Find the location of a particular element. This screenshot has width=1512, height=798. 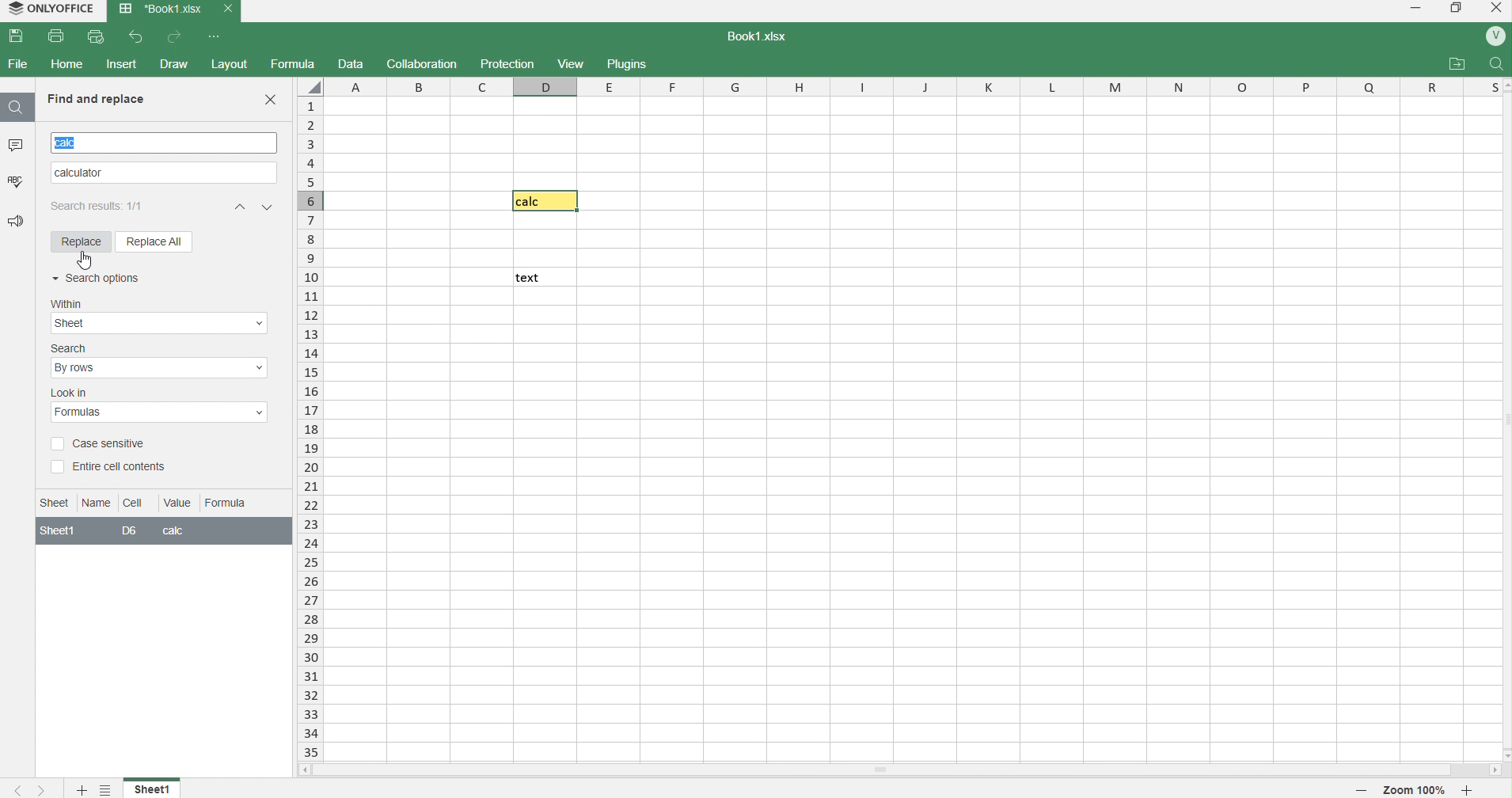

 zoom 100% is located at coordinates (1411, 789).